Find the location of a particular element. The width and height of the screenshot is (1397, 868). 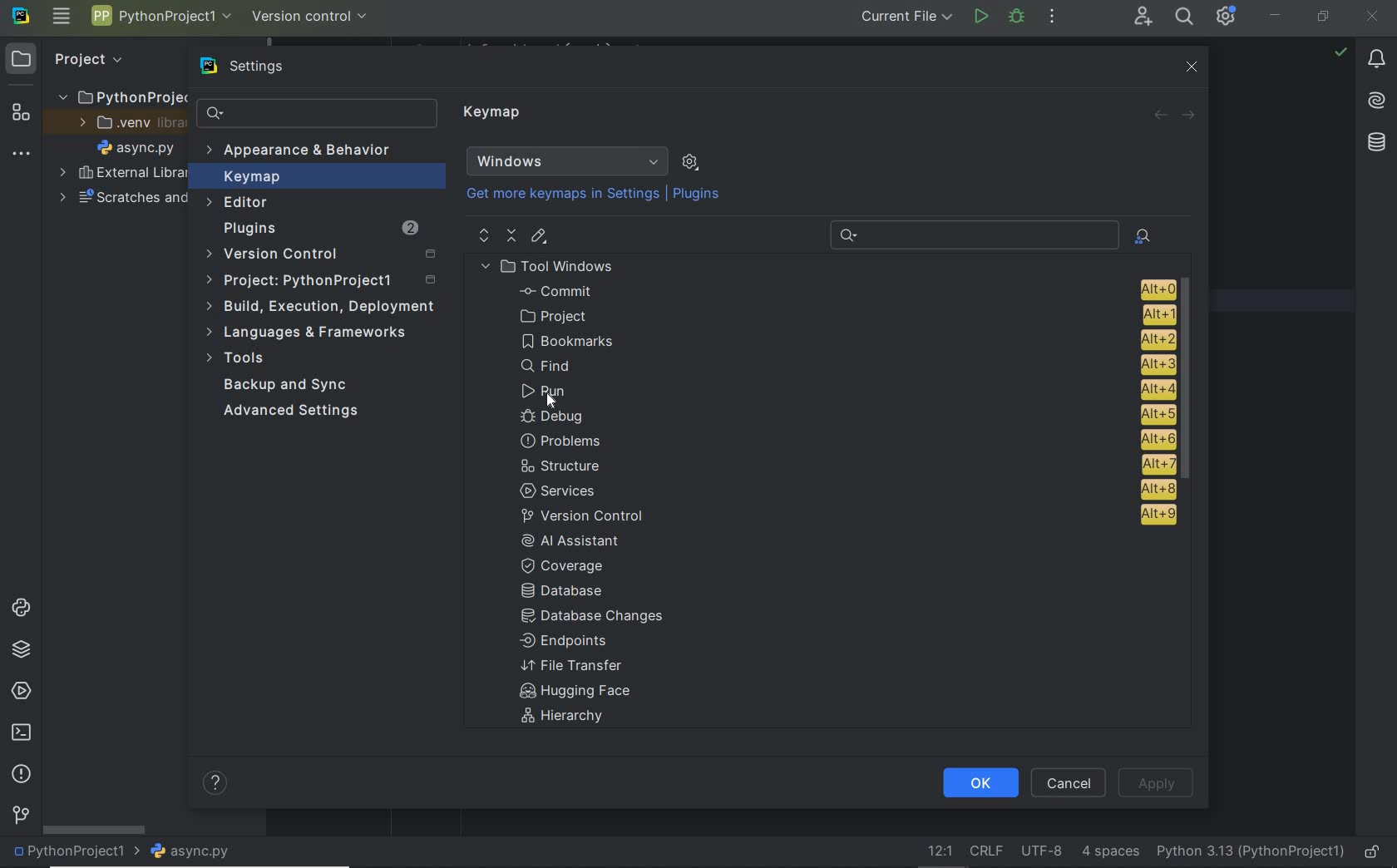

Cancel is located at coordinates (1071, 782).